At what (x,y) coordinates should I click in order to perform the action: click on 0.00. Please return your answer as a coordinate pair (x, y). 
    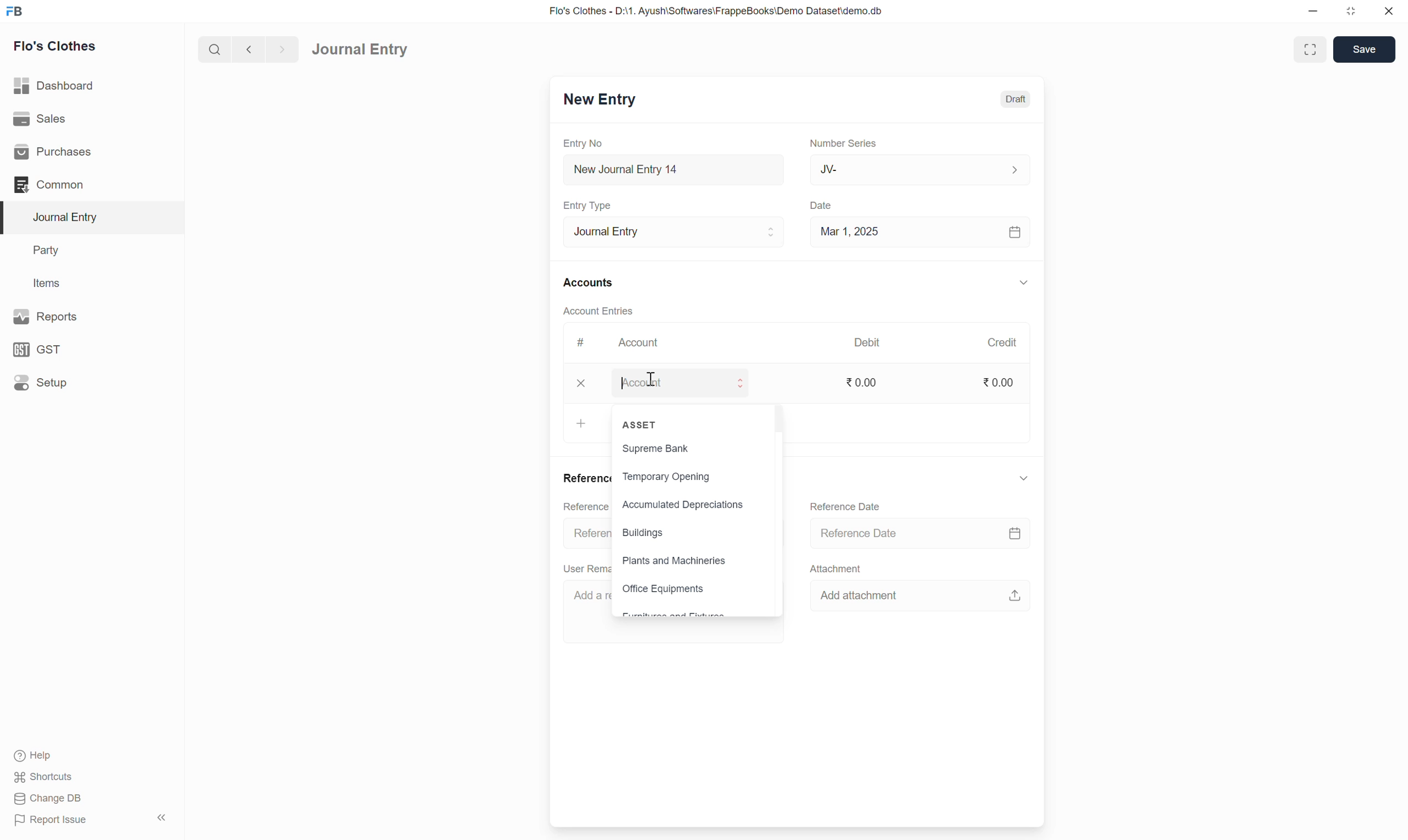
    Looking at the image, I should click on (999, 382).